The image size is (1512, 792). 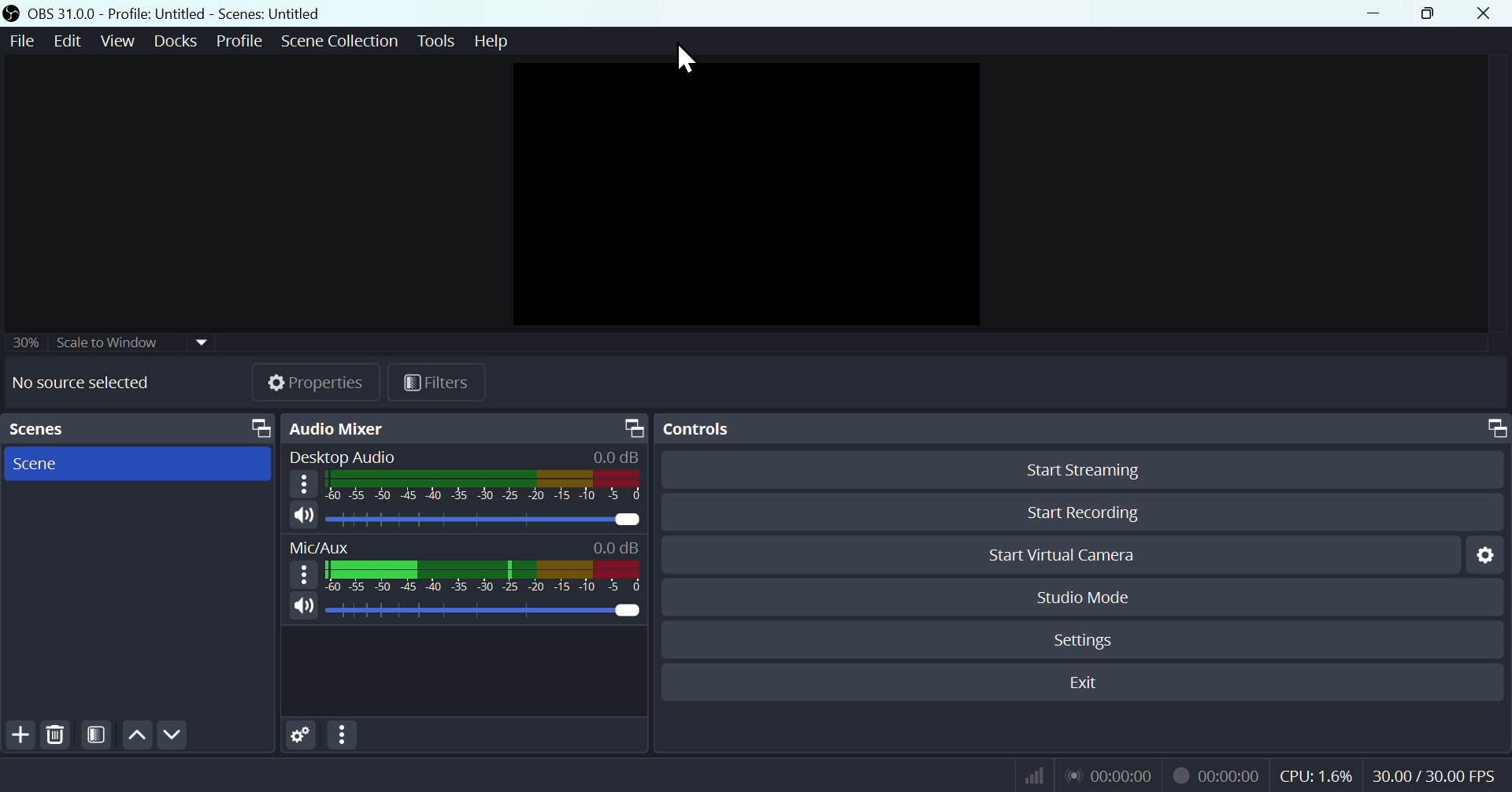 I want to click on Close, so click(x=1484, y=13).